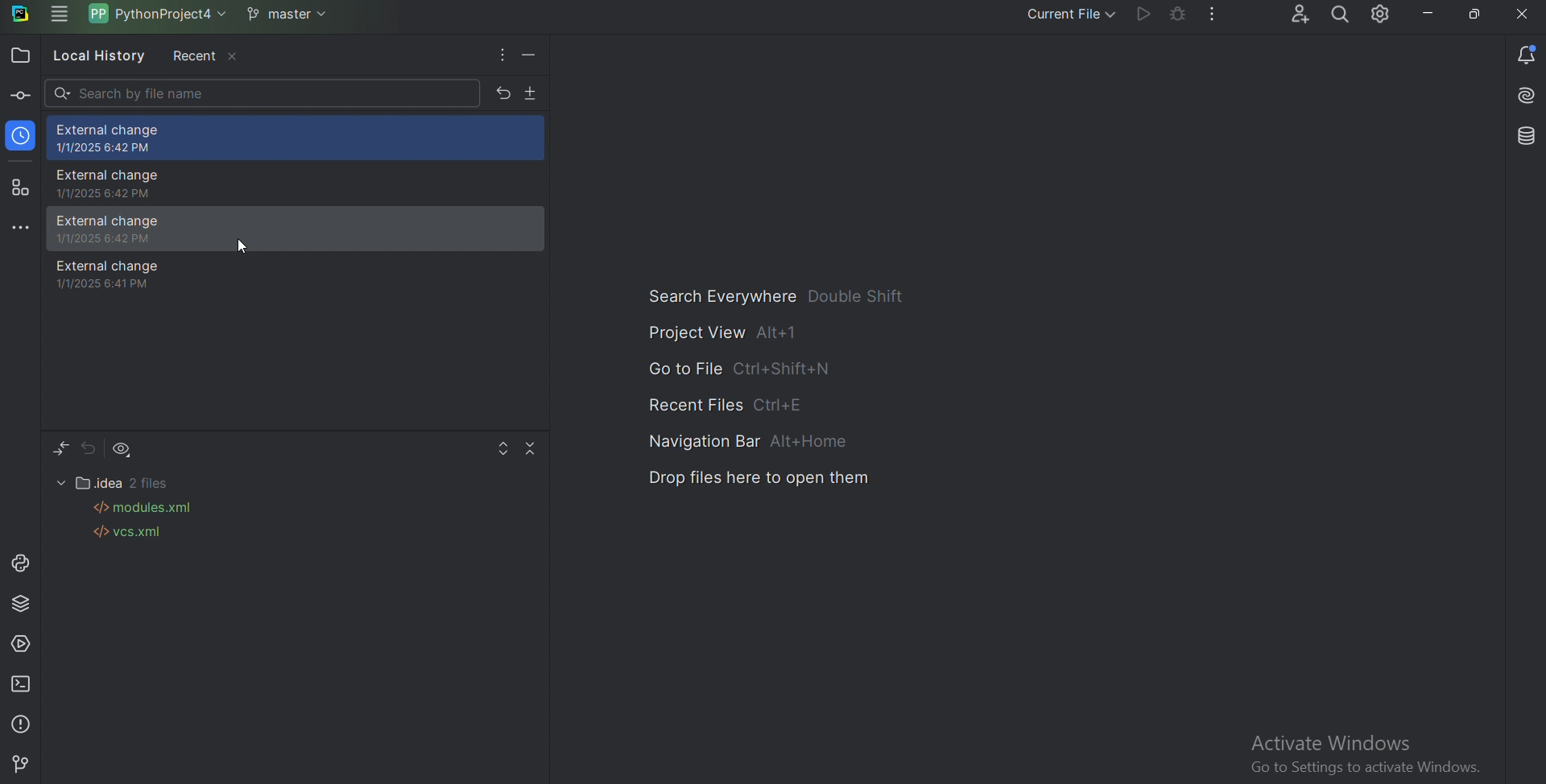 The image size is (1546, 784). What do you see at coordinates (1516, 138) in the screenshot?
I see `Database` at bounding box center [1516, 138].